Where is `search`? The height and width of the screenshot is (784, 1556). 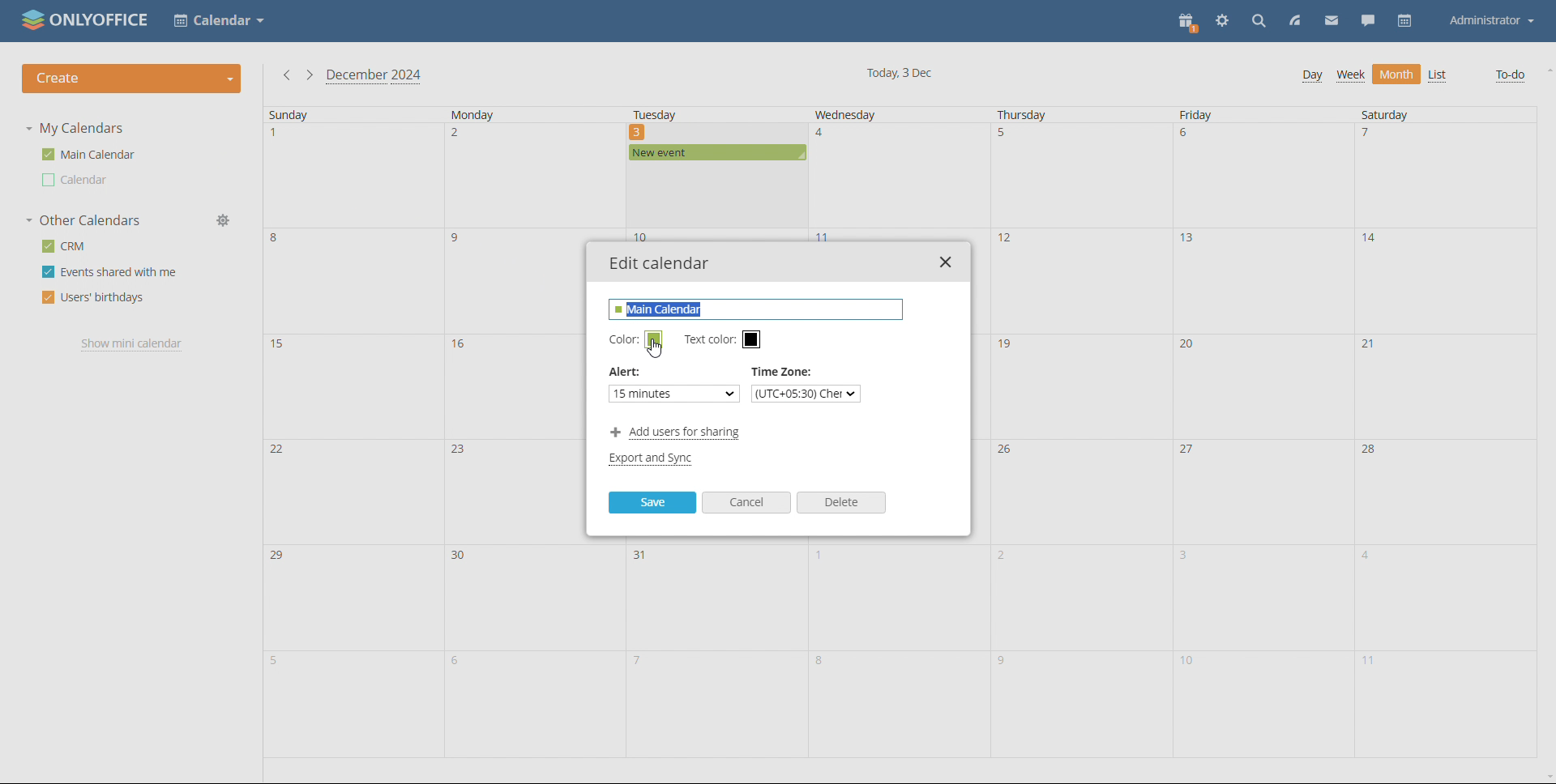
search is located at coordinates (1259, 23).